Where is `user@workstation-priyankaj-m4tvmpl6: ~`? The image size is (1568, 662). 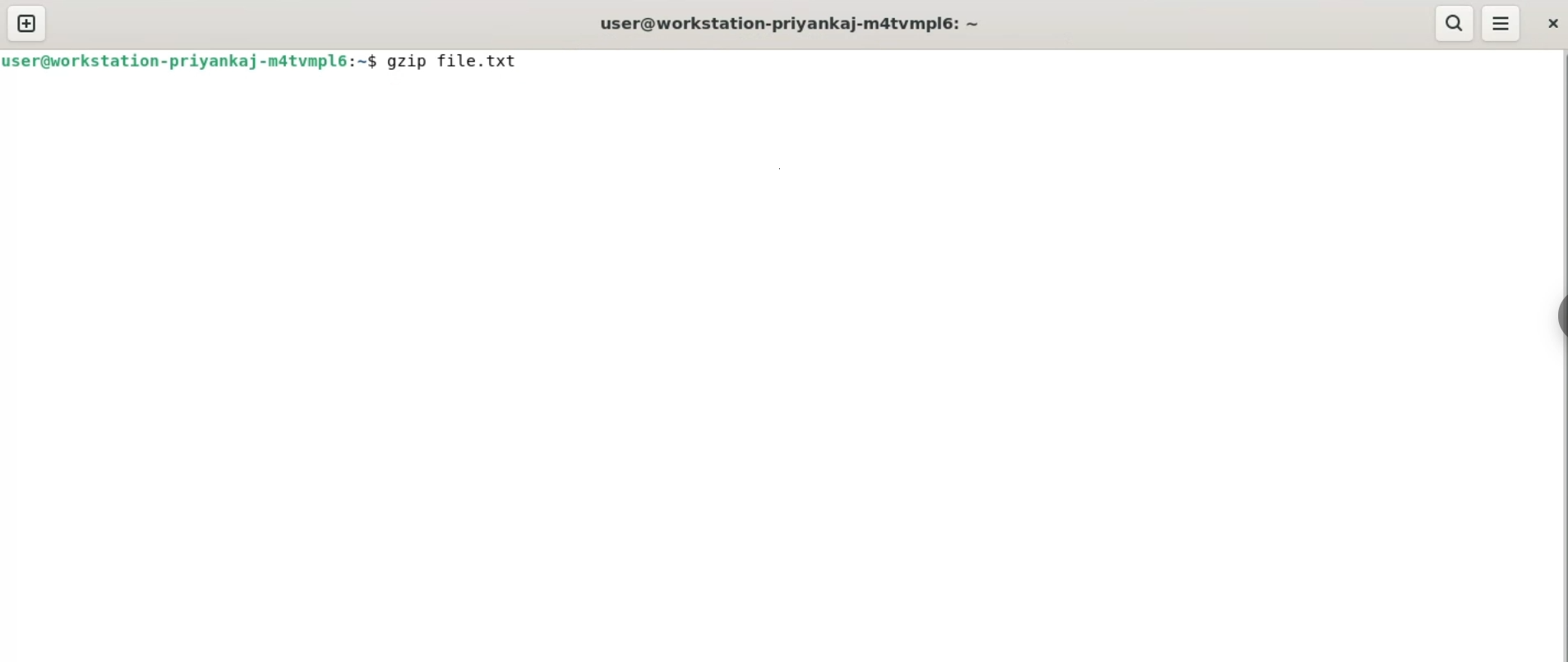 user@workstation-priyankaj-m4tvmpl6: ~ is located at coordinates (789, 21).